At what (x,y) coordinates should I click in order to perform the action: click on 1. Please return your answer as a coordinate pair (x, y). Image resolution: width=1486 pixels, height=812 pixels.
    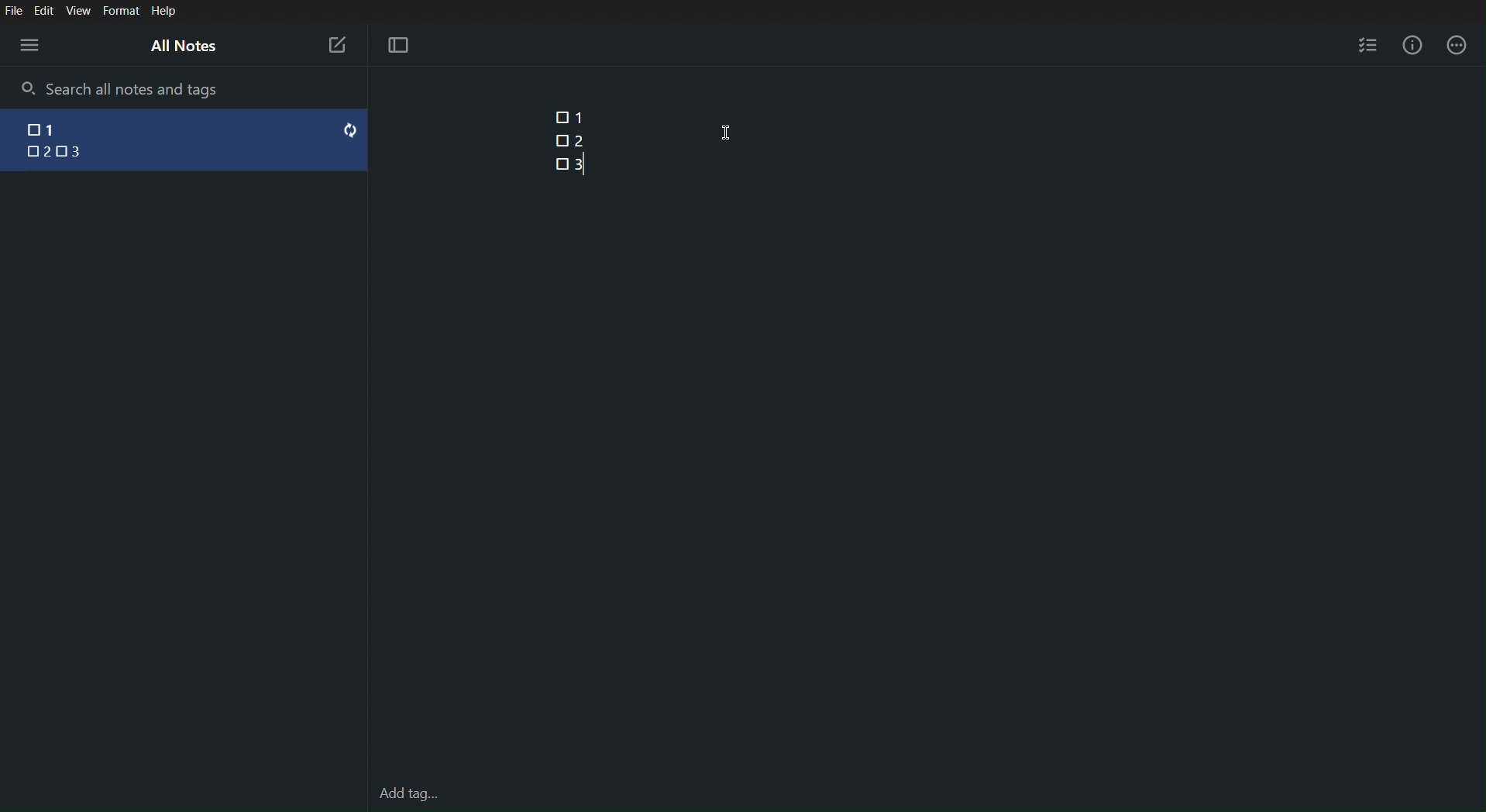
    Looking at the image, I should click on (581, 117).